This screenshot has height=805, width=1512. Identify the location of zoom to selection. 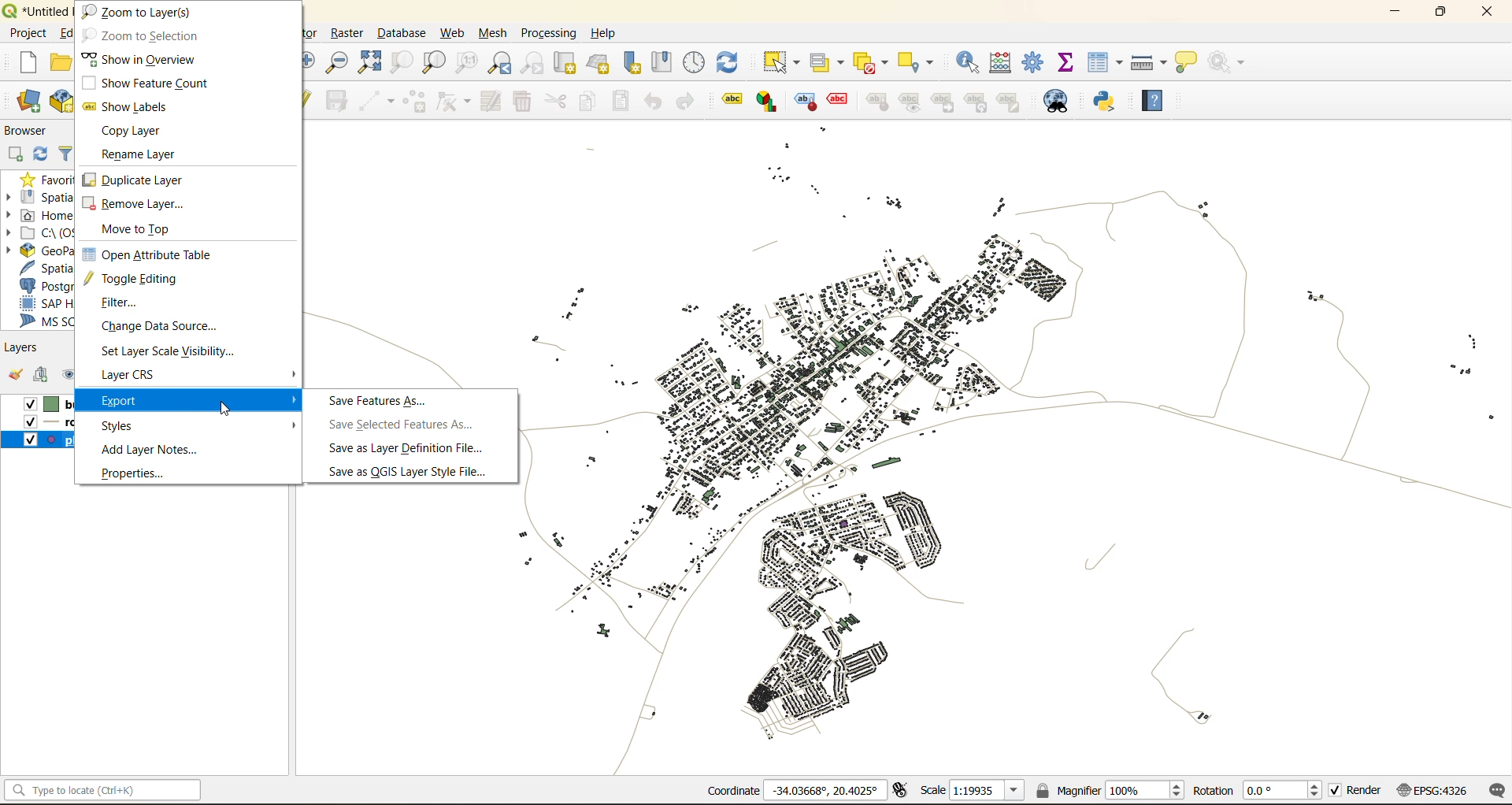
(140, 35).